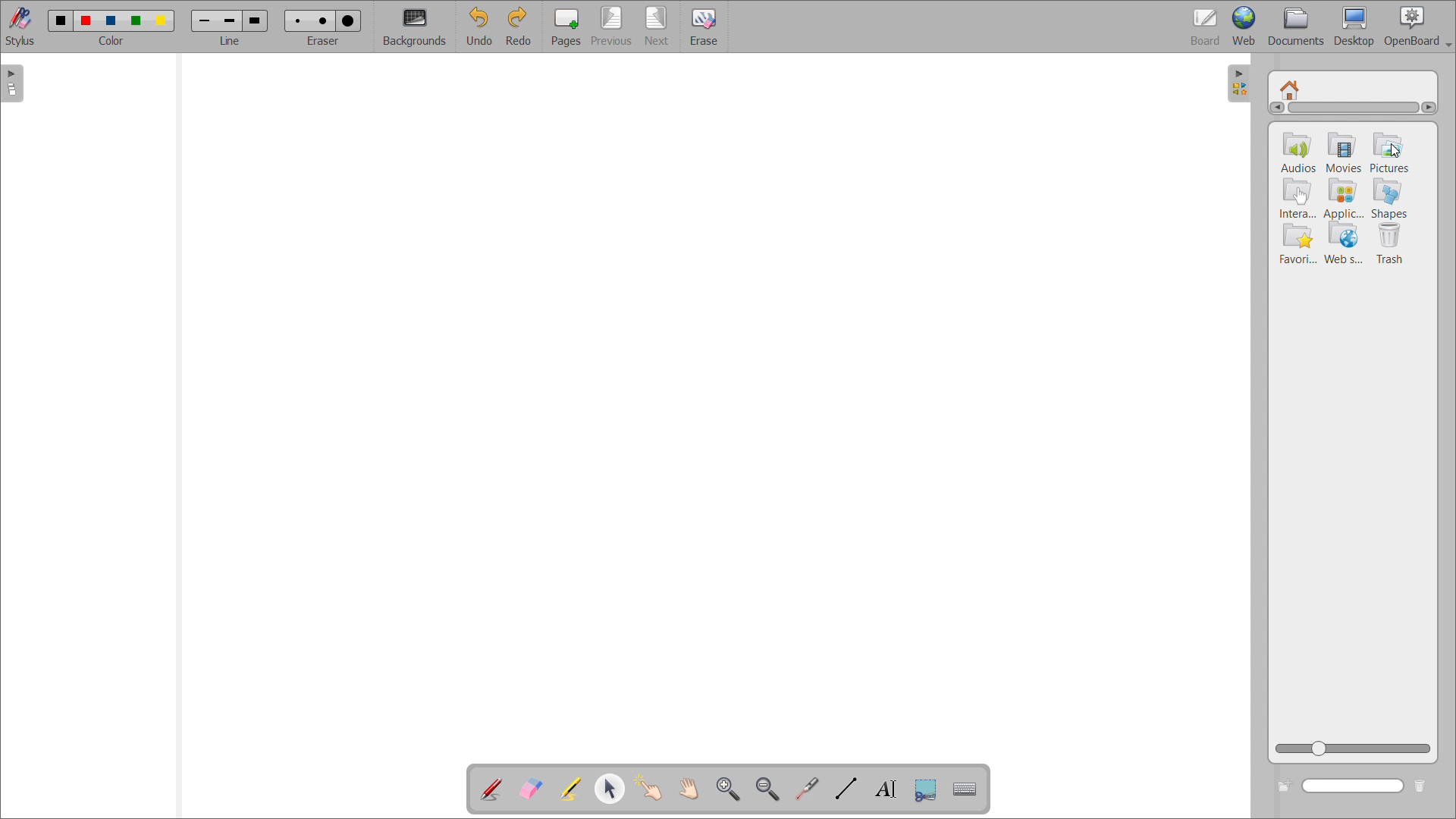 This screenshot has width=1456, height=819. Describe the element at coordinates (479, 26) in the screenshot. I see `undo` at that location.